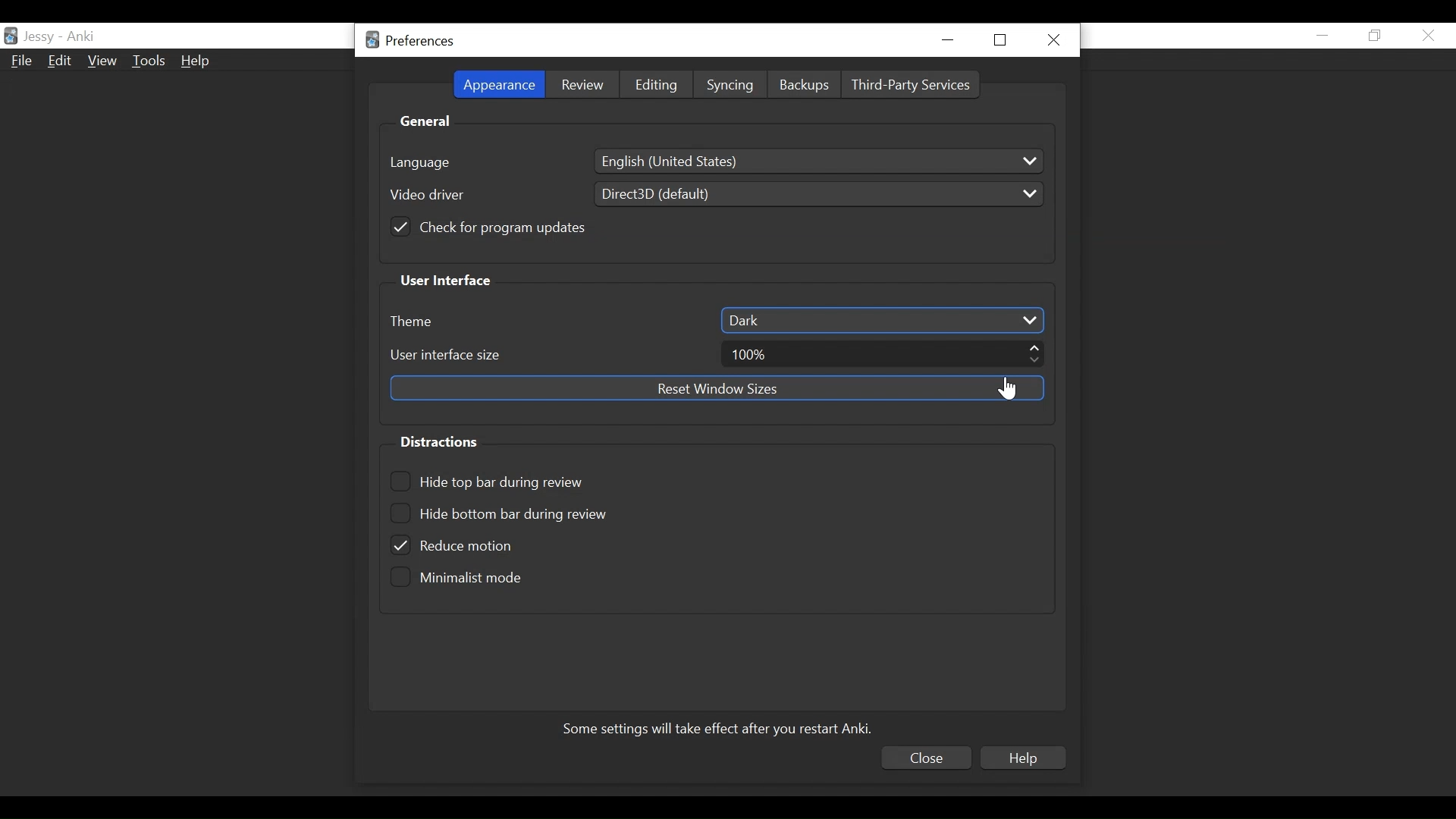 This screenshot has width=1456, height=819. What do you see at coordinates (720, 729) in the screenshot?
I see `Some settings will take effect after you restart Anki` at bounding box center [720, 729].